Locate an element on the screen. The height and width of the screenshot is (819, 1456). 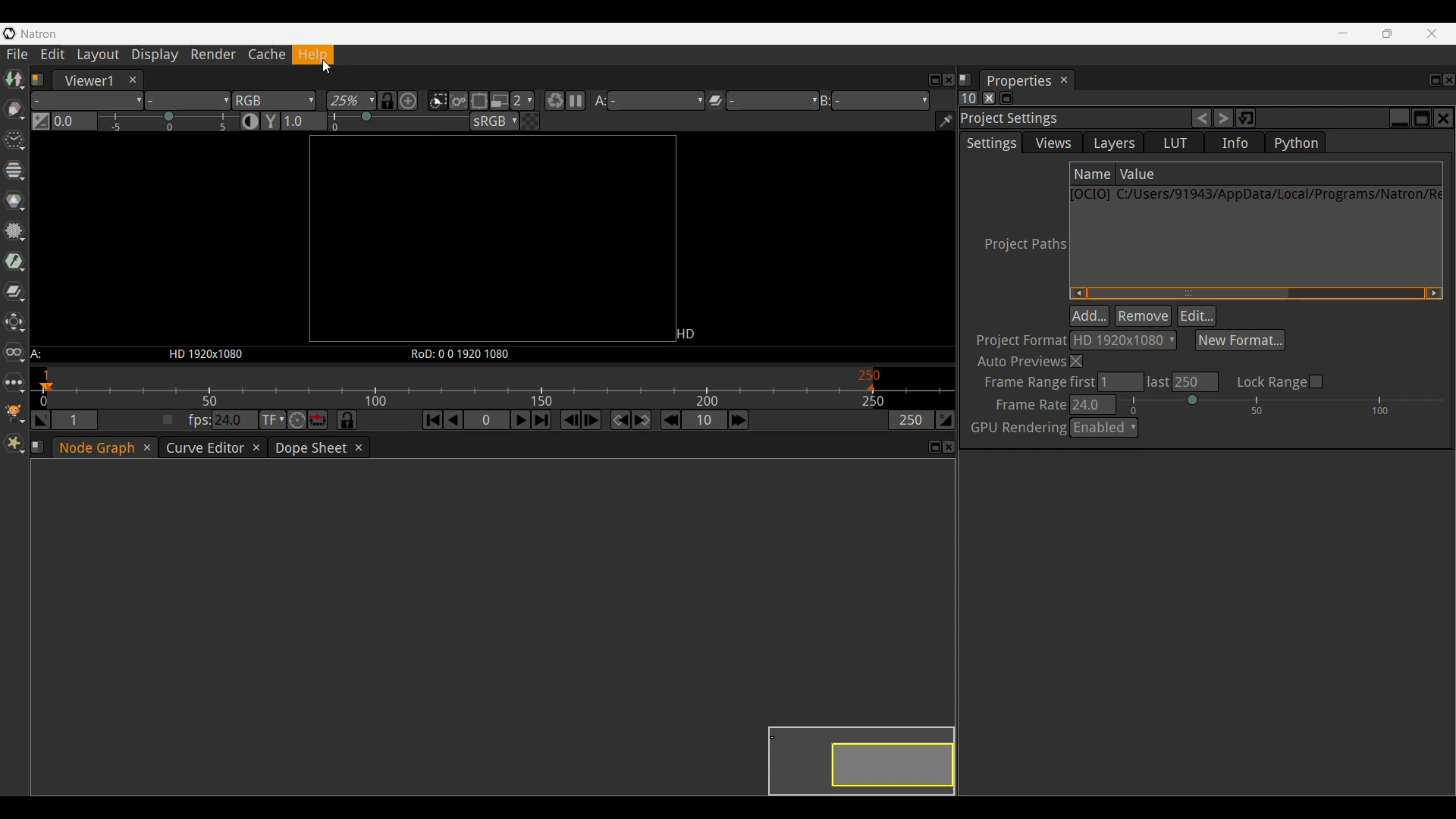
Properties panel is located at coordinates (1018, 80).